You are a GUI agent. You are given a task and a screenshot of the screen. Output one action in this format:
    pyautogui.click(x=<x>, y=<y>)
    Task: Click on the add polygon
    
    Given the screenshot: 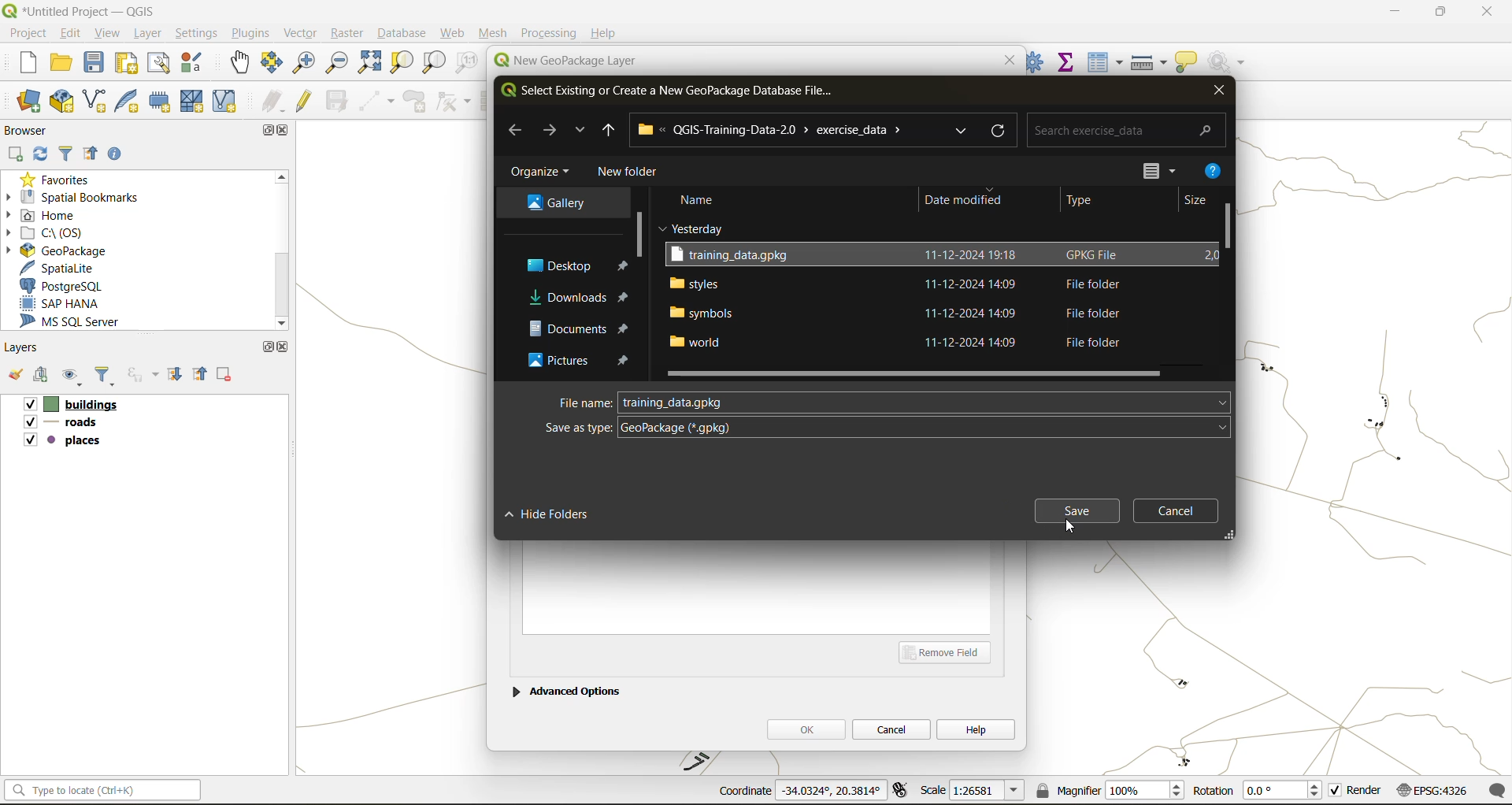 What is the action you would take?
    pyautogui.click(x=417, y=106)
    